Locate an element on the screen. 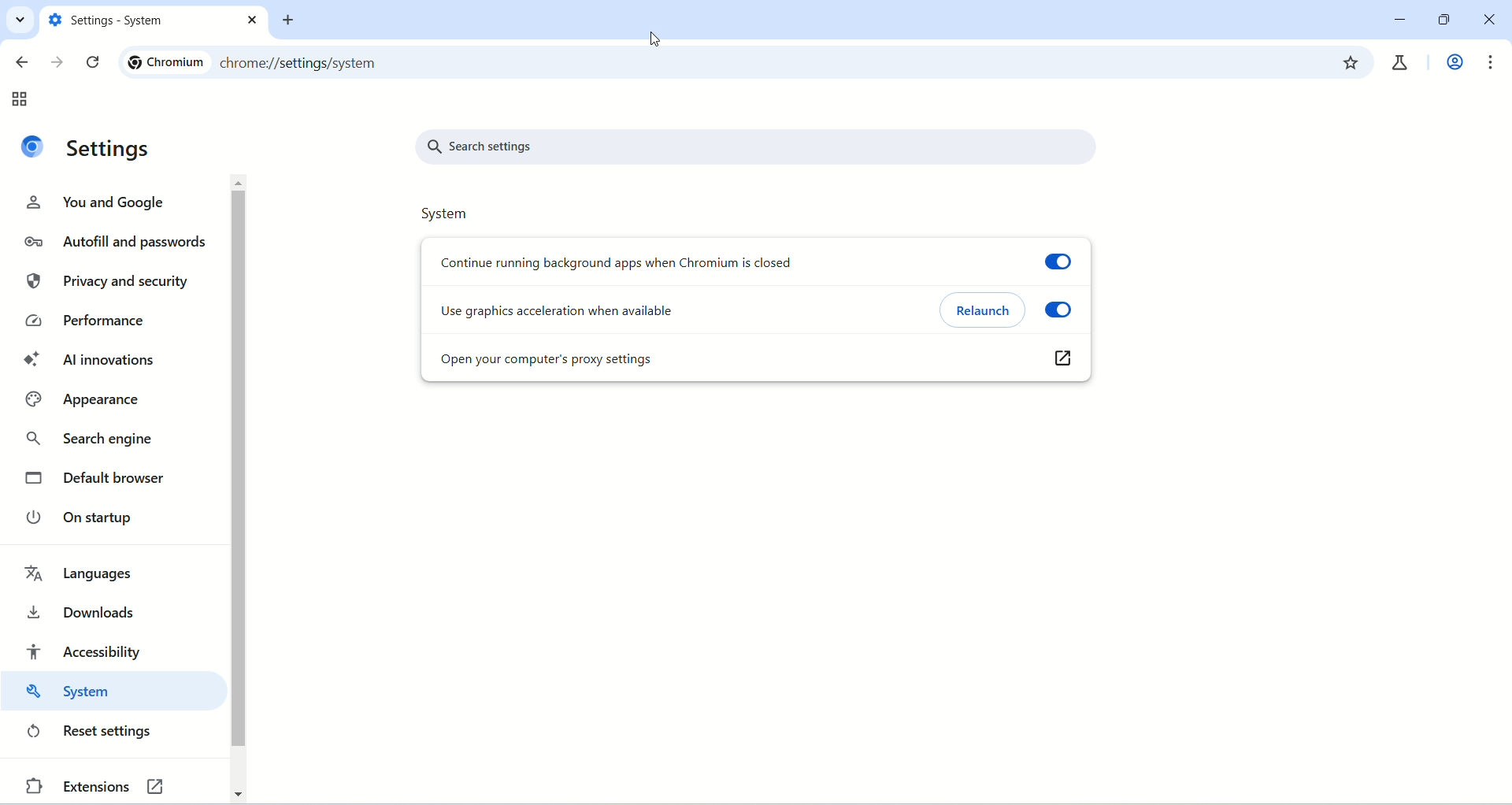  performance is located at coordinates (83, 322).